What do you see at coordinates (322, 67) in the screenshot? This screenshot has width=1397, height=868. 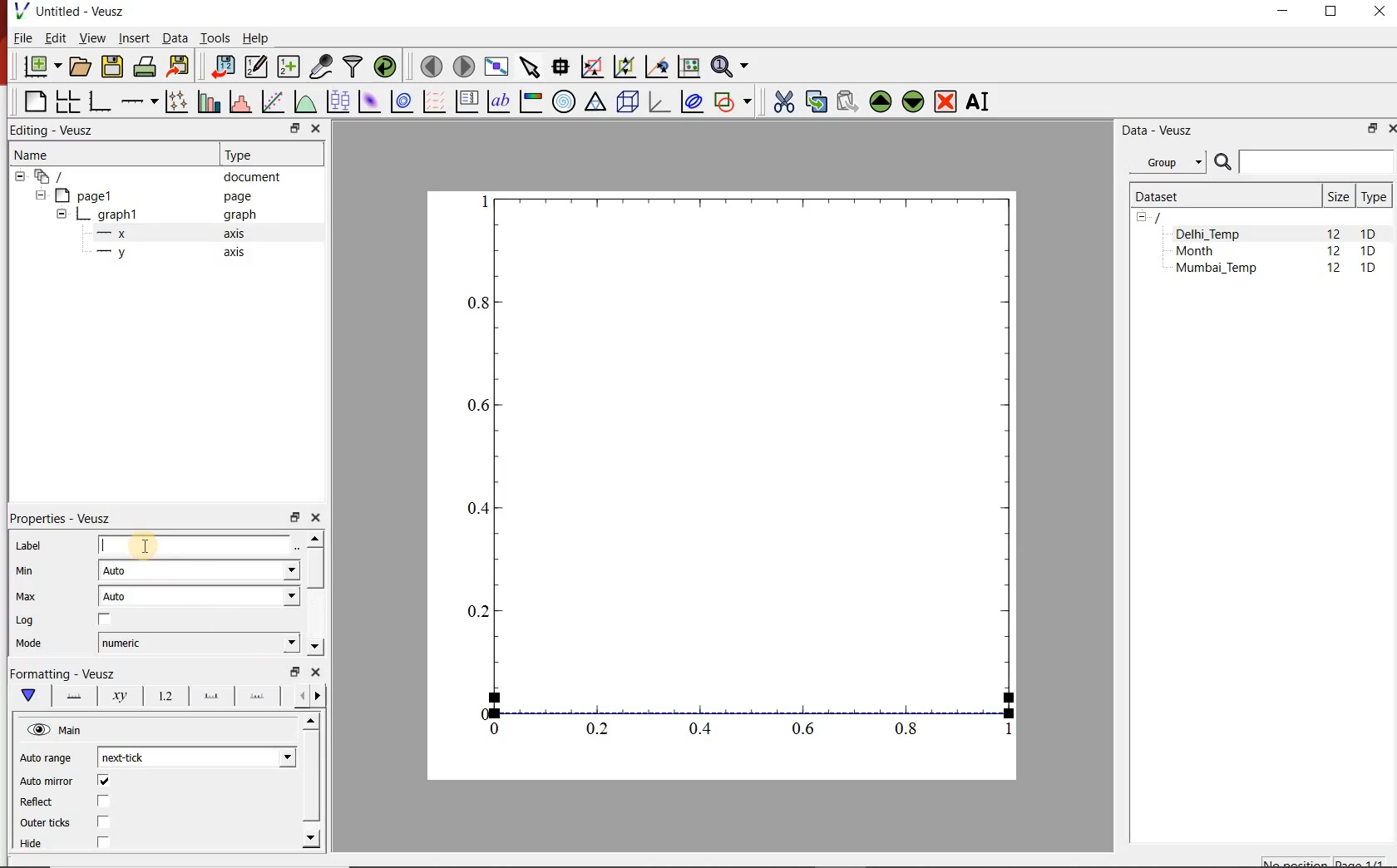 I see `capture remote data` at bounding box center [322, 67].